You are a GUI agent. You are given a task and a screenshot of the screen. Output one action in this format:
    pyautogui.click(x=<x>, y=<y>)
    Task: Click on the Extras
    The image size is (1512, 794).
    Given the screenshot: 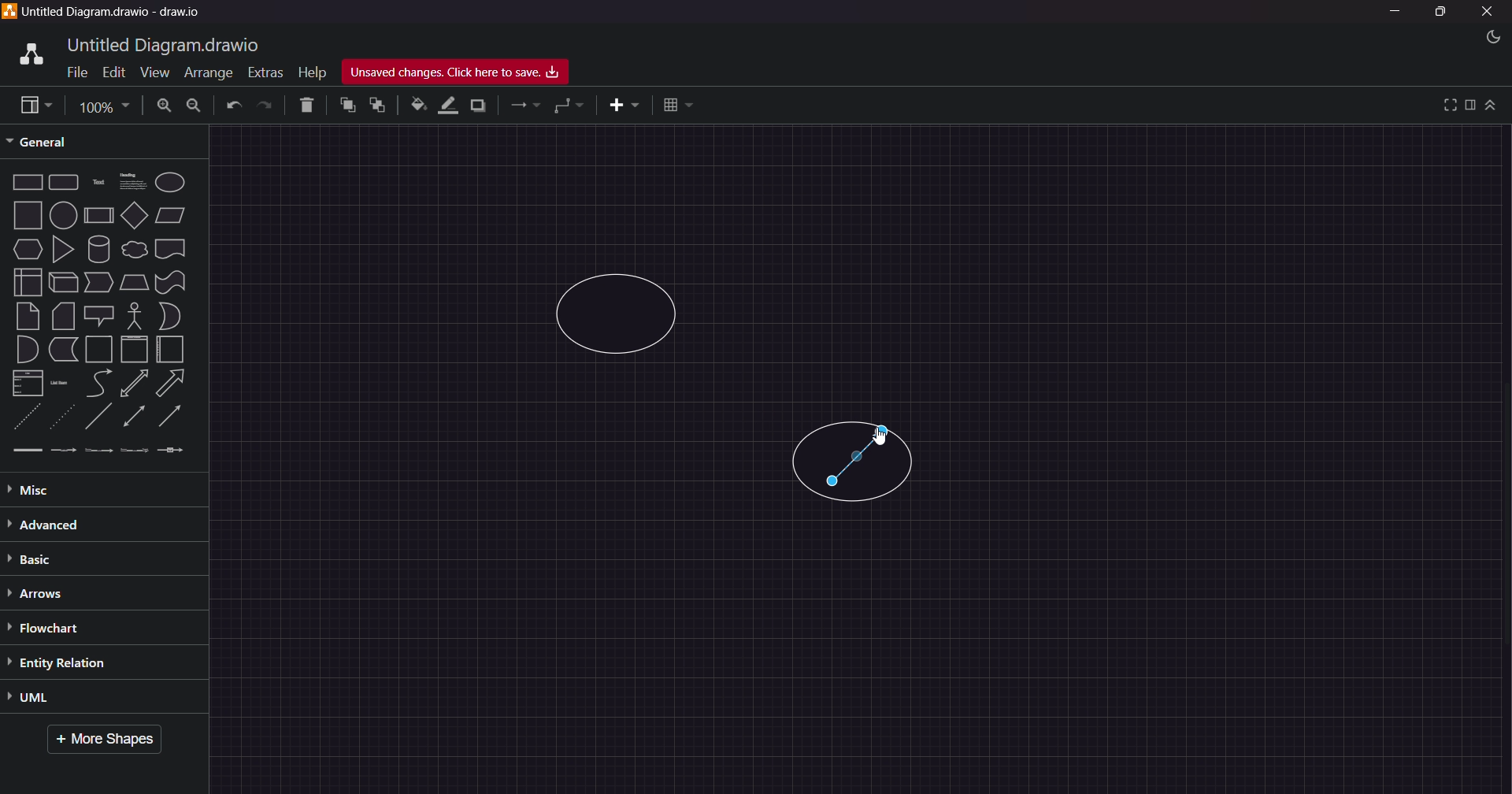 What is the action you would take?
    pyautogui.click(x=265, y=70)
    